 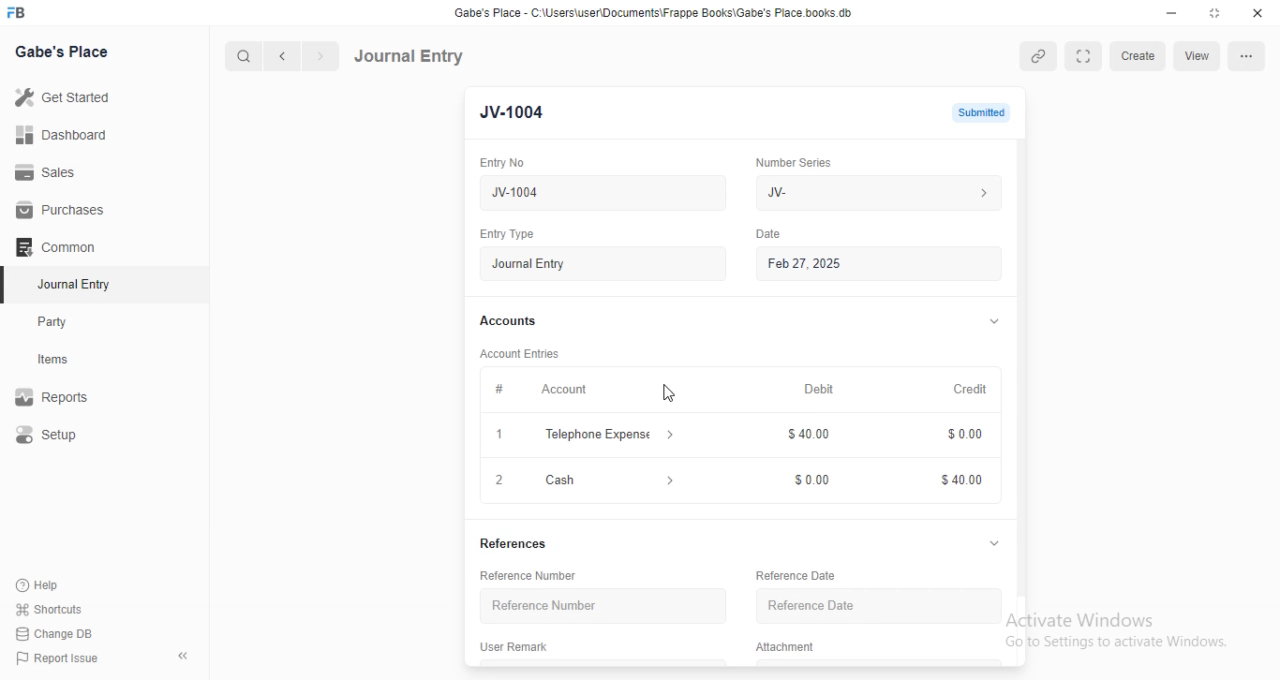 What do you see at coordinates (1035, 56) in the screenshot?
I see `Linked references` at bounding box center [1035, 56].